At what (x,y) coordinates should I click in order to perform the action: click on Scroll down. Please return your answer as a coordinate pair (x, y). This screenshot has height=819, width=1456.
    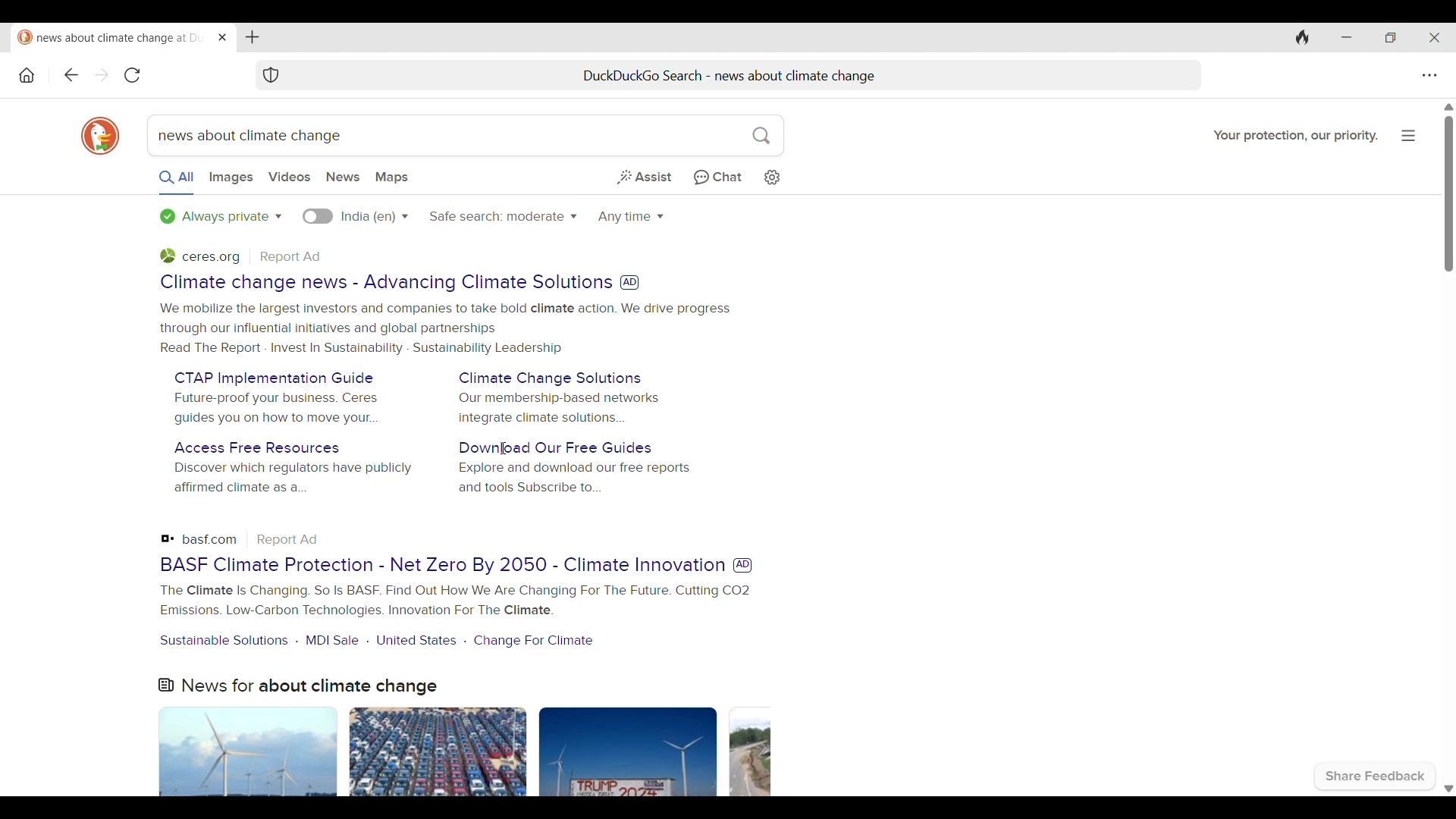
    Looking at the image, I should click on (1447, 789).